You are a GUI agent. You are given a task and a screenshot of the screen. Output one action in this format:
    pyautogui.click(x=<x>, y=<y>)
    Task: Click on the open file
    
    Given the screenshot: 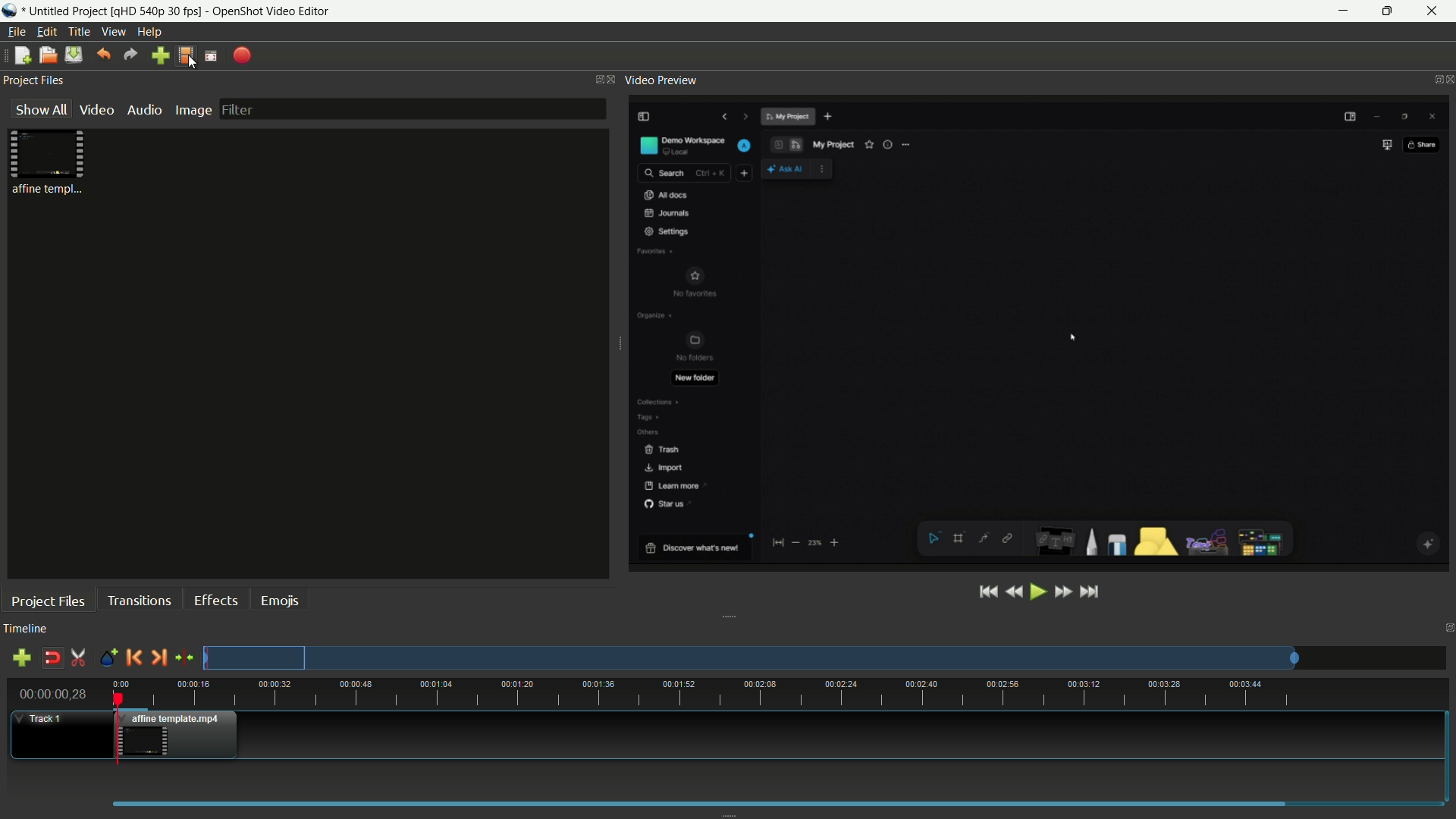 What is the action you would take?
    pyautogui.click(x=45, y=55)
    